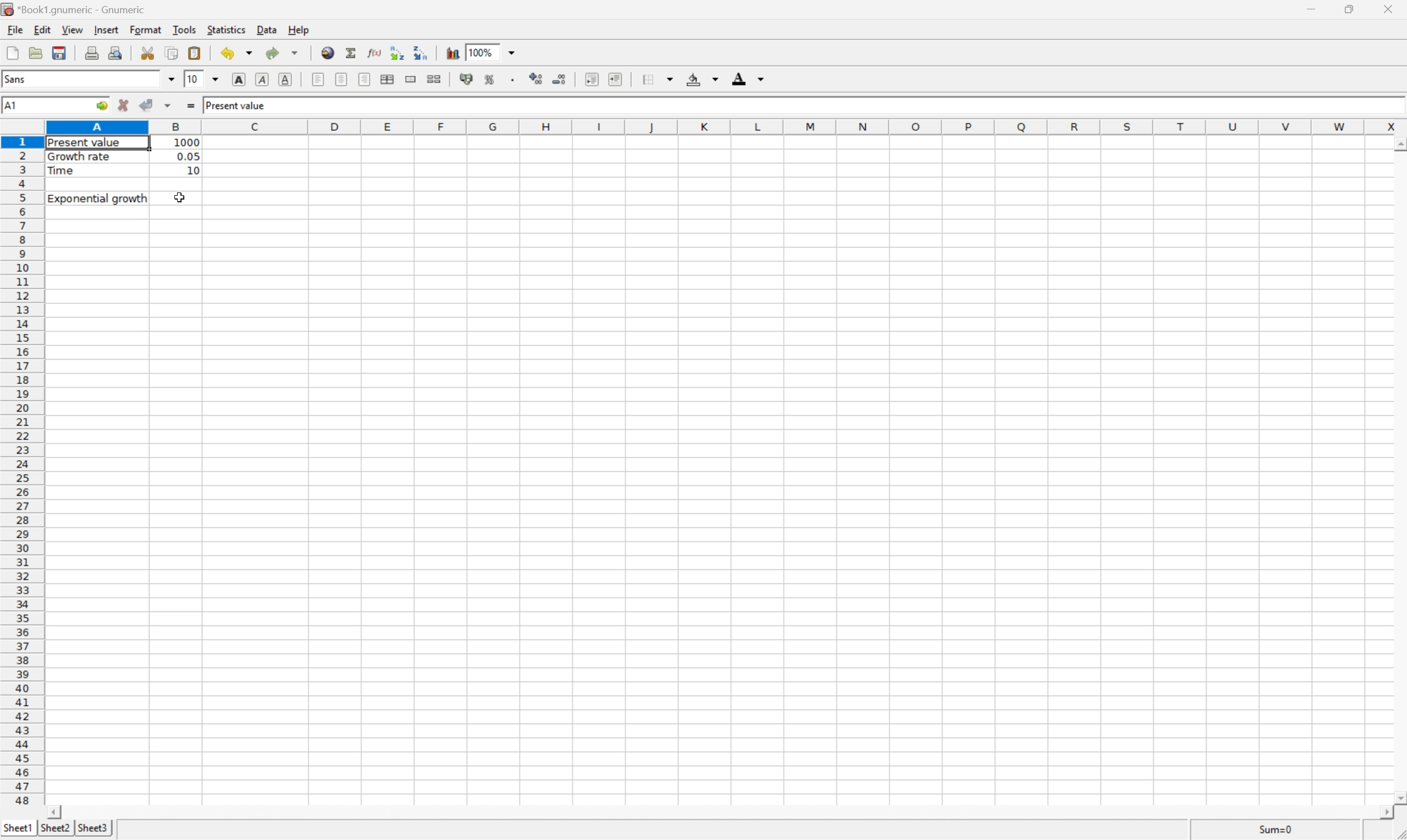 Image resolution: width=1407 pixels, height=840 pixels. Describe the element at coordinates (19, 830) in the screenshot. I see `Sheet1` at that location.